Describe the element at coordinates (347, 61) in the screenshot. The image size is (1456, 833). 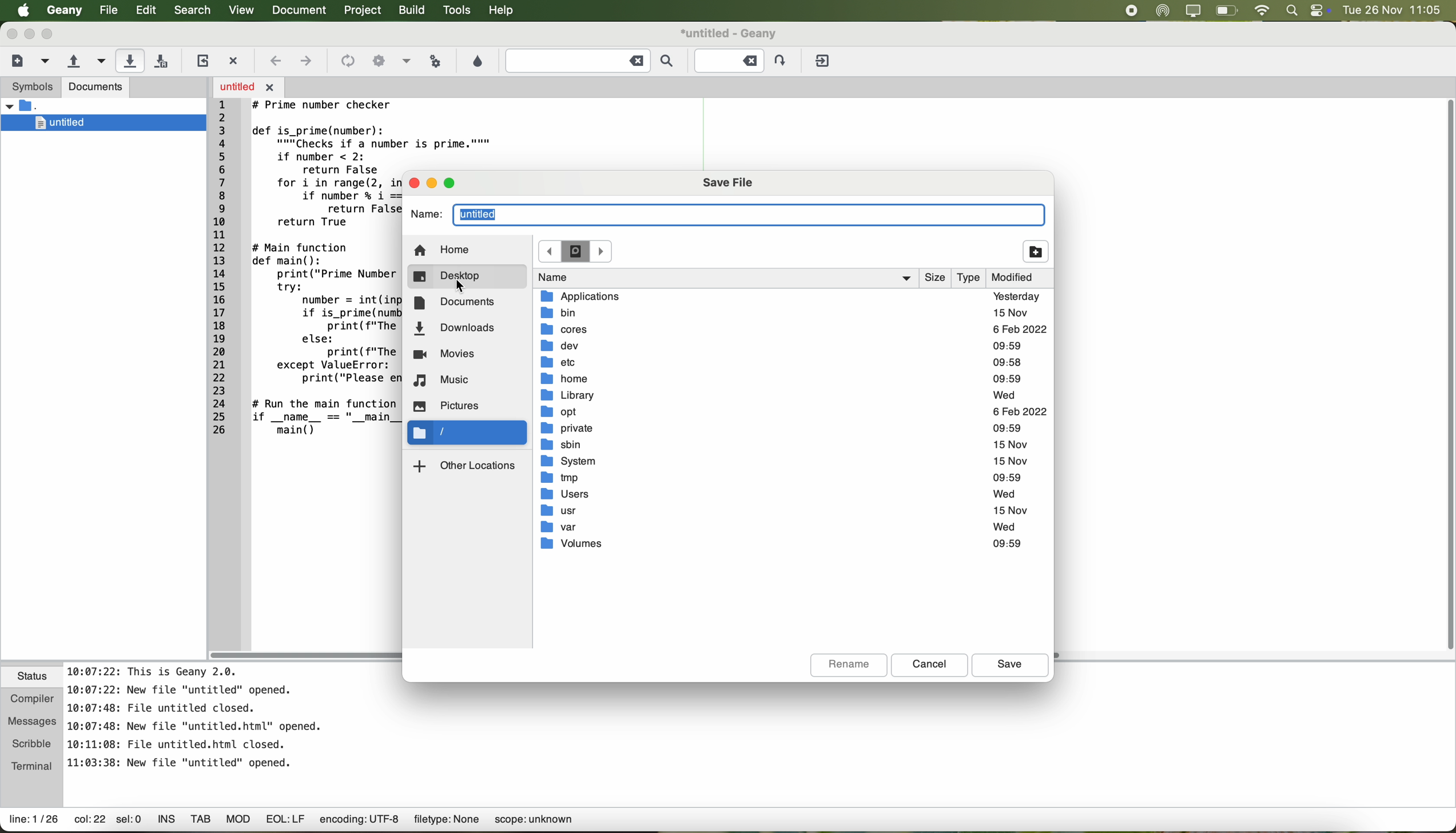
I see `icon` at that location.